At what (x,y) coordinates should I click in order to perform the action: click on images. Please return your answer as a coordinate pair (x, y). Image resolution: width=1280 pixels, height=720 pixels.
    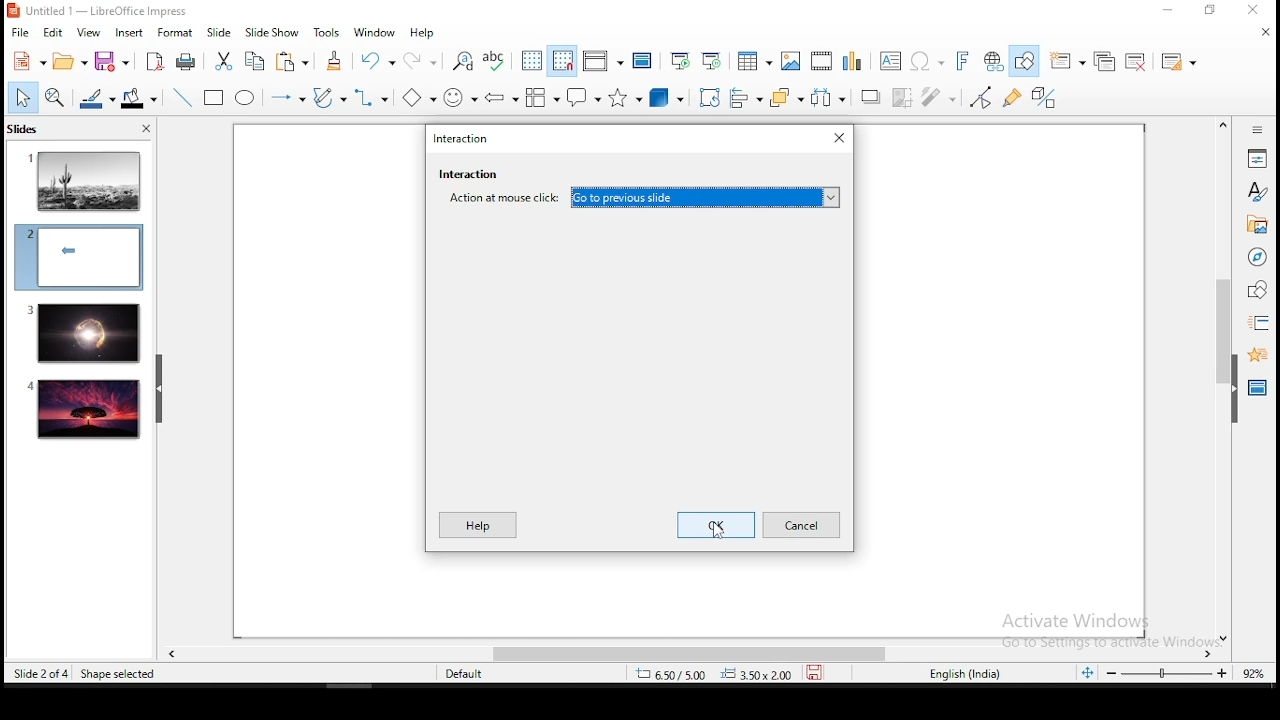
    Looking at the image, I should click on (789, 61).